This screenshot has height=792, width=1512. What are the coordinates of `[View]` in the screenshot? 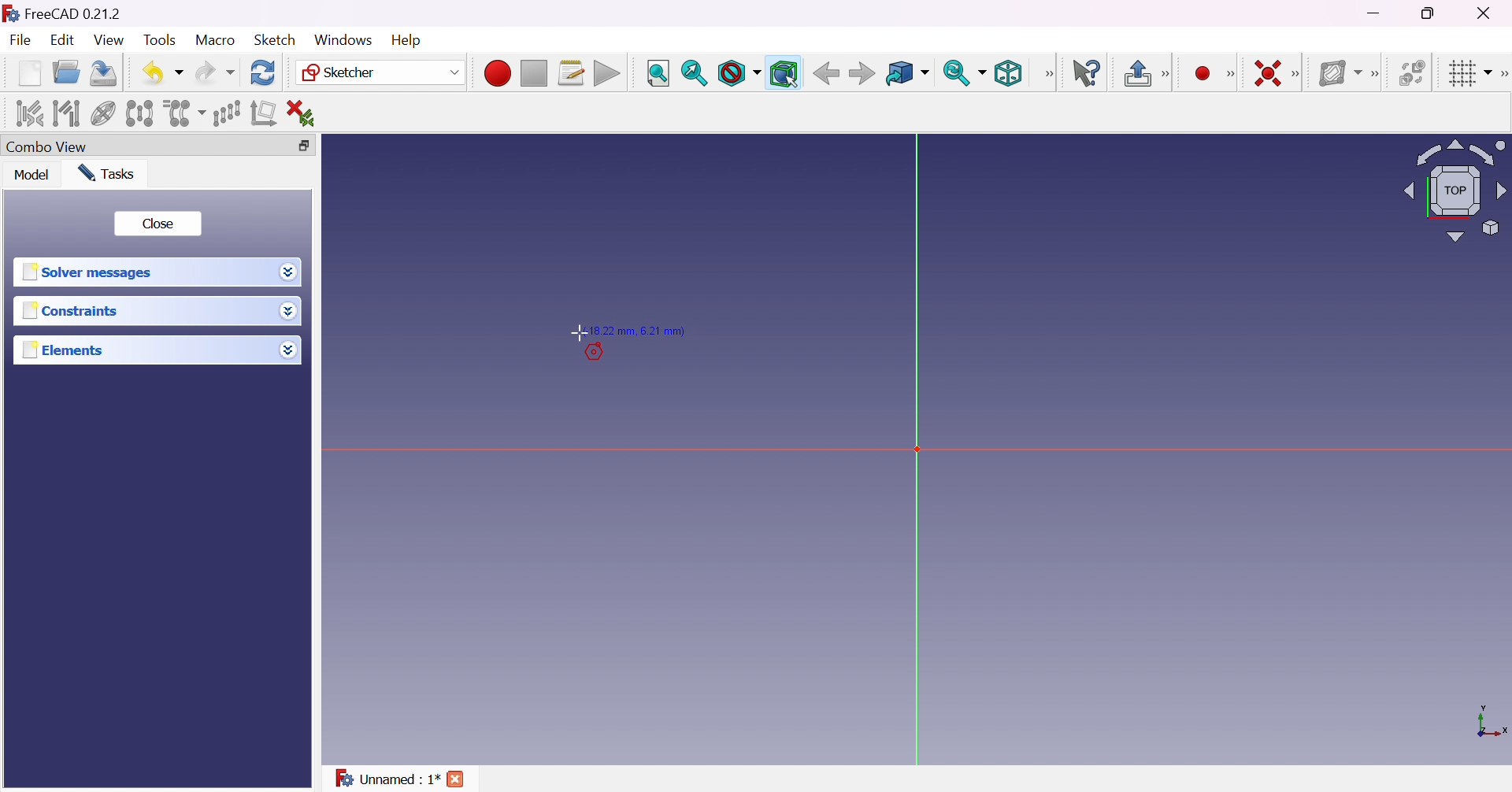 It's located at (1048, 74).